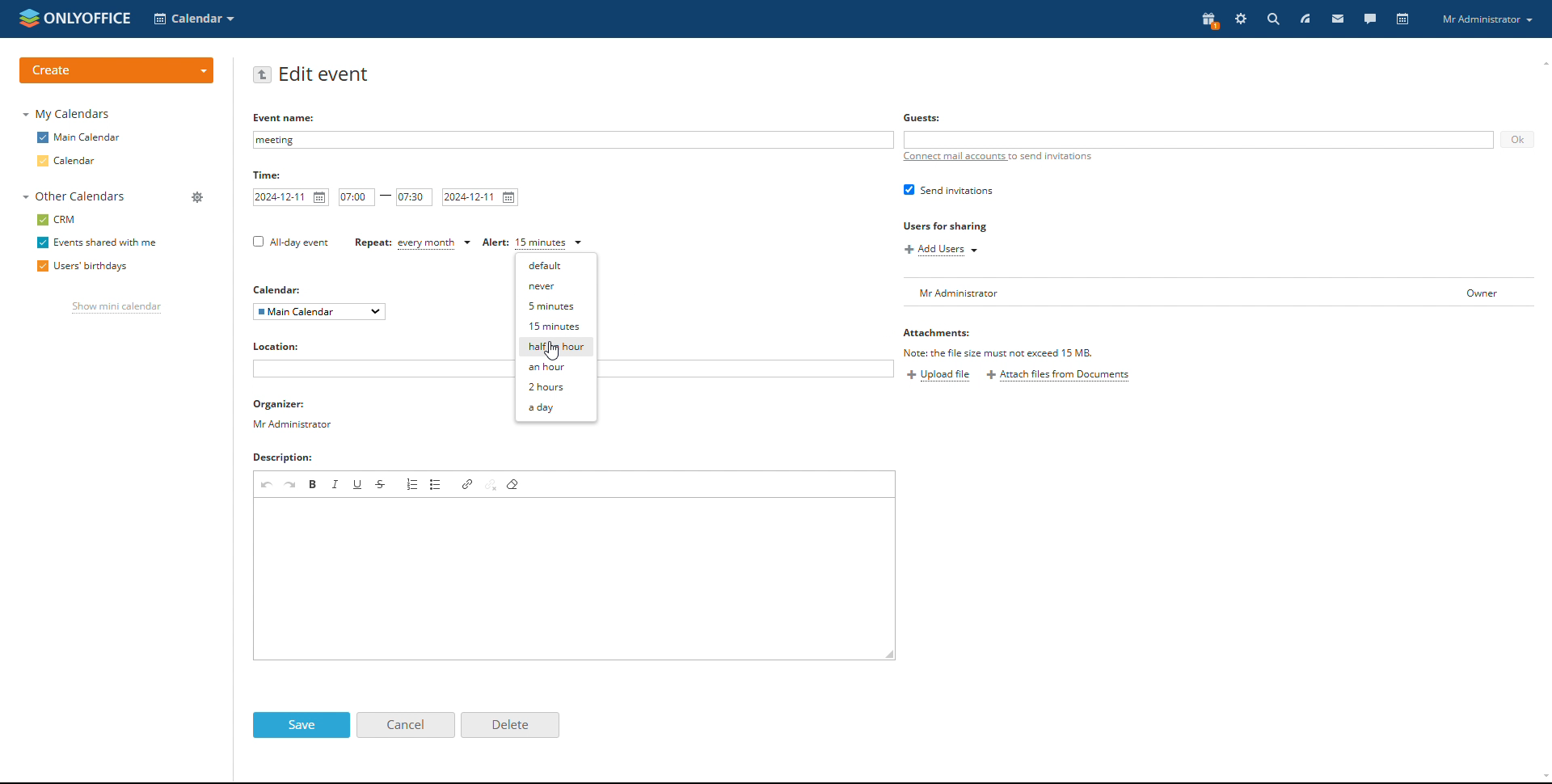  What do you see at coordinates (1058, 377) in the screenshot?
I see `attach files form documents` at bounding box center [1058, 377].